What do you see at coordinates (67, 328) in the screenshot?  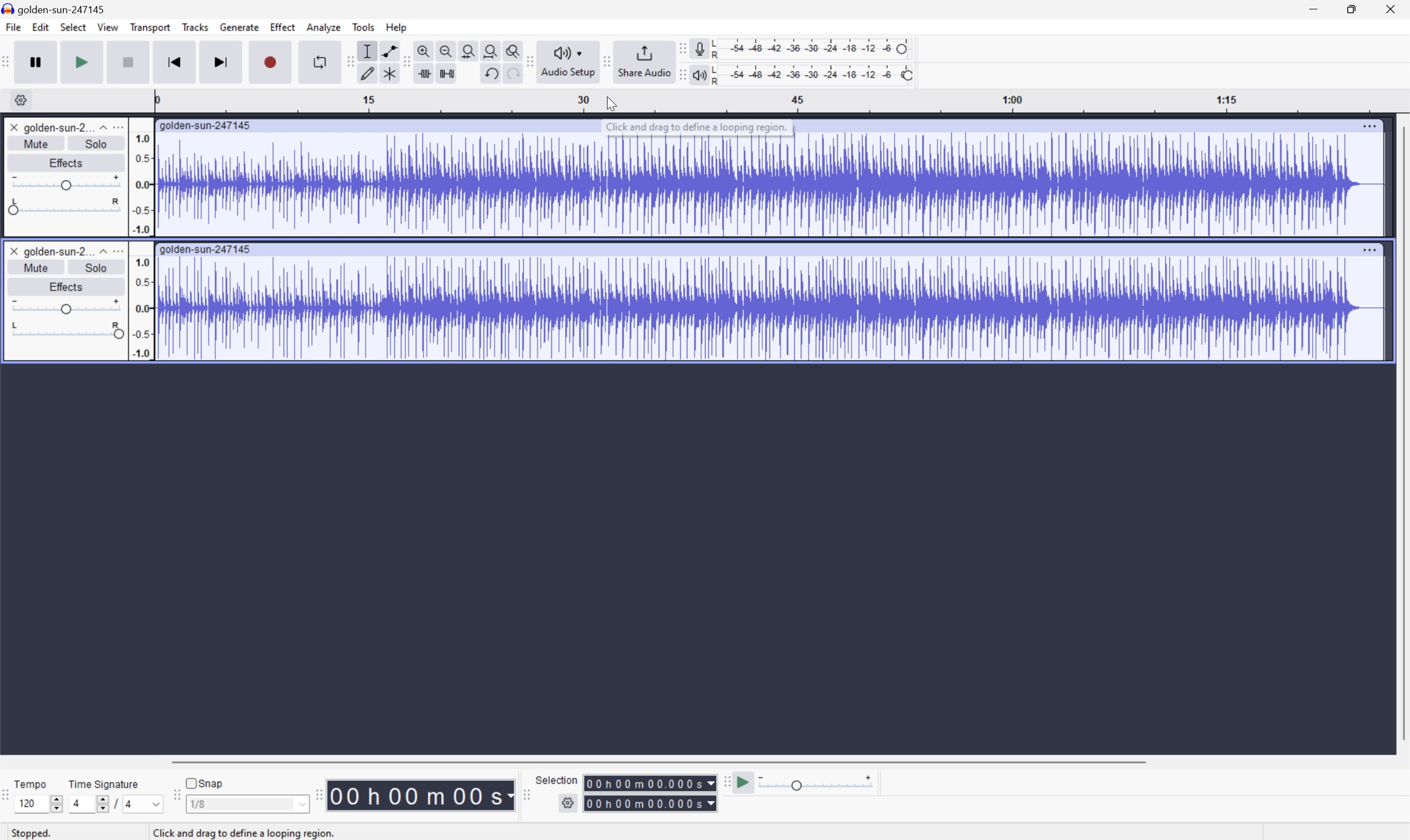 I see `Slider` at bounding box center [67, 328].